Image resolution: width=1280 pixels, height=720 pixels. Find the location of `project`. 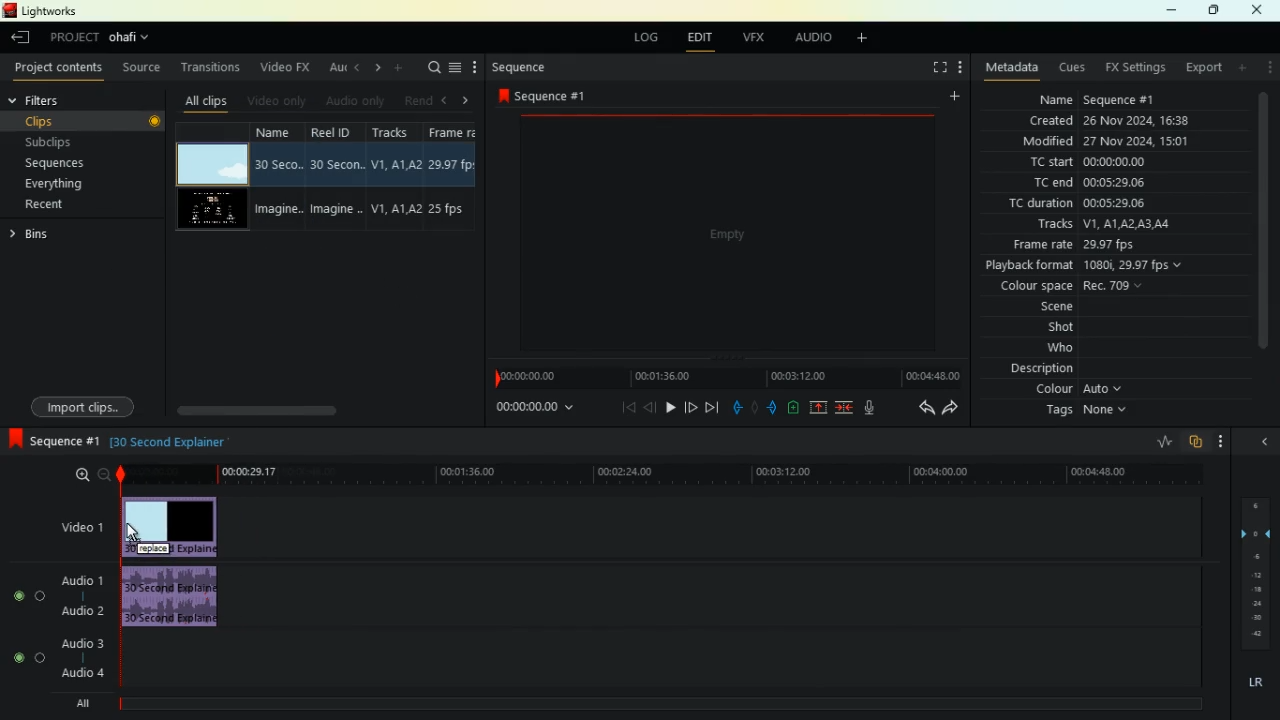

project is located at coordinates (106, 37).